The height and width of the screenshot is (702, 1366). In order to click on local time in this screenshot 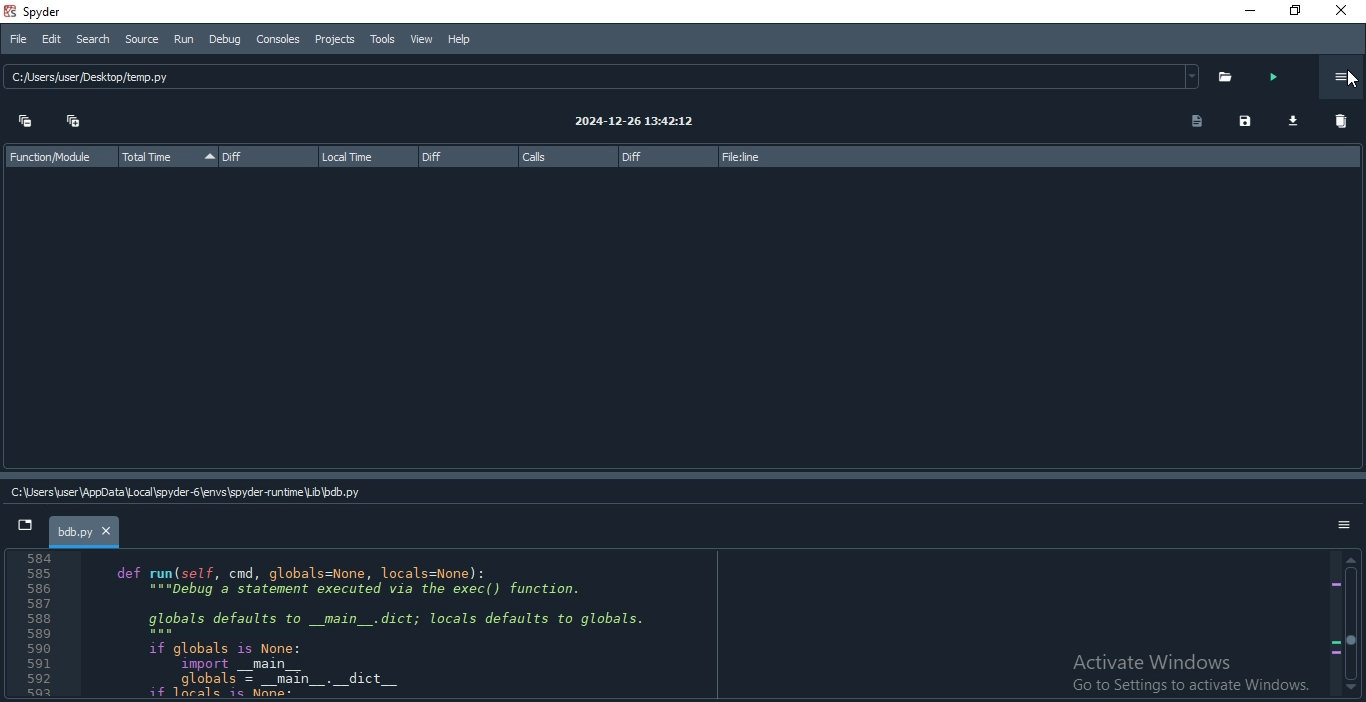, I will do `click(366, 157)`.